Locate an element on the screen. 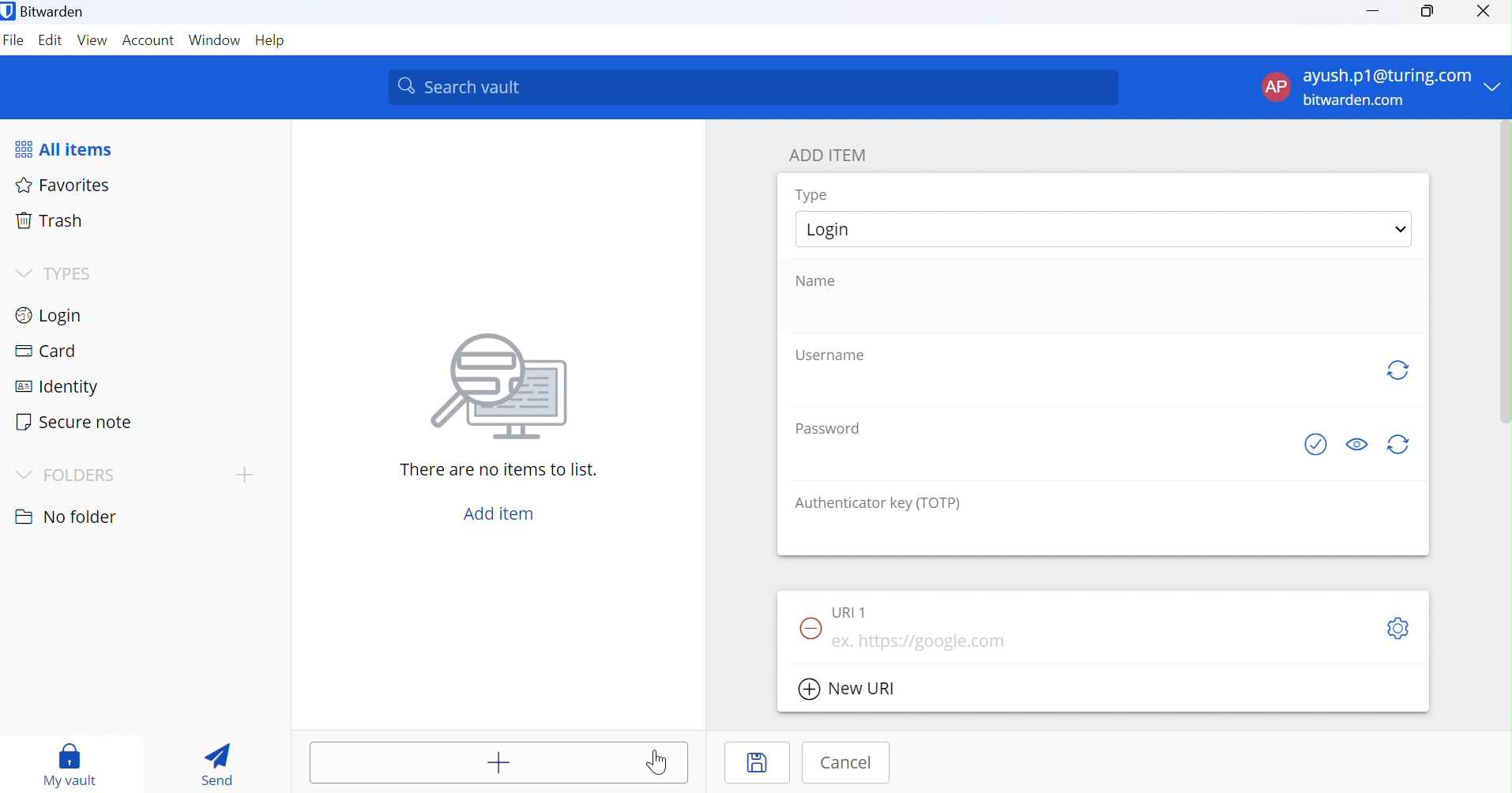  TYPES is located at coordinates (54, 274).